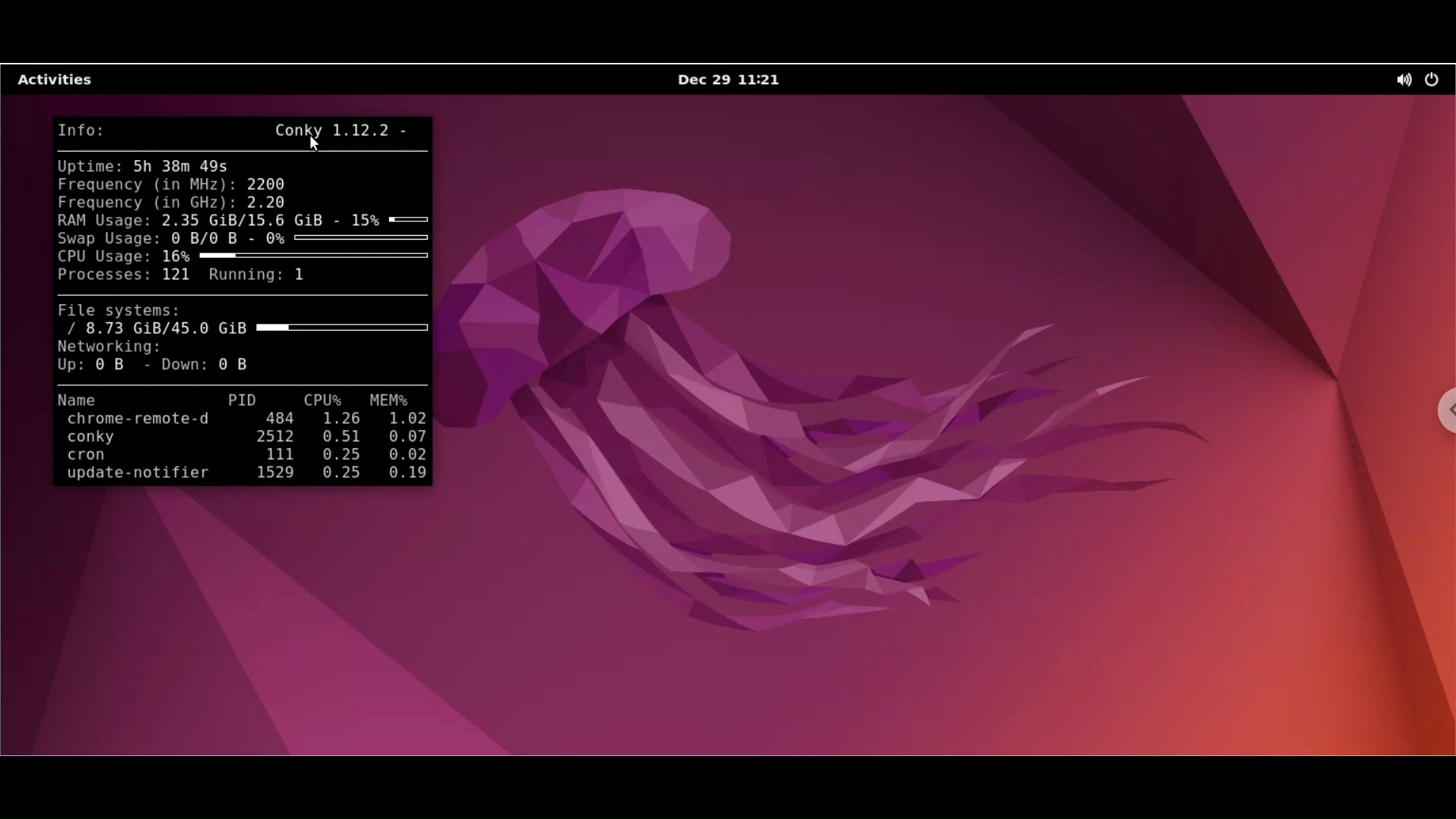 Image resolution: width=1456 pixels, height=819 pixels. Describe the element at coordinates (1435, 81) in the screenshot. I see `power options` at that location.